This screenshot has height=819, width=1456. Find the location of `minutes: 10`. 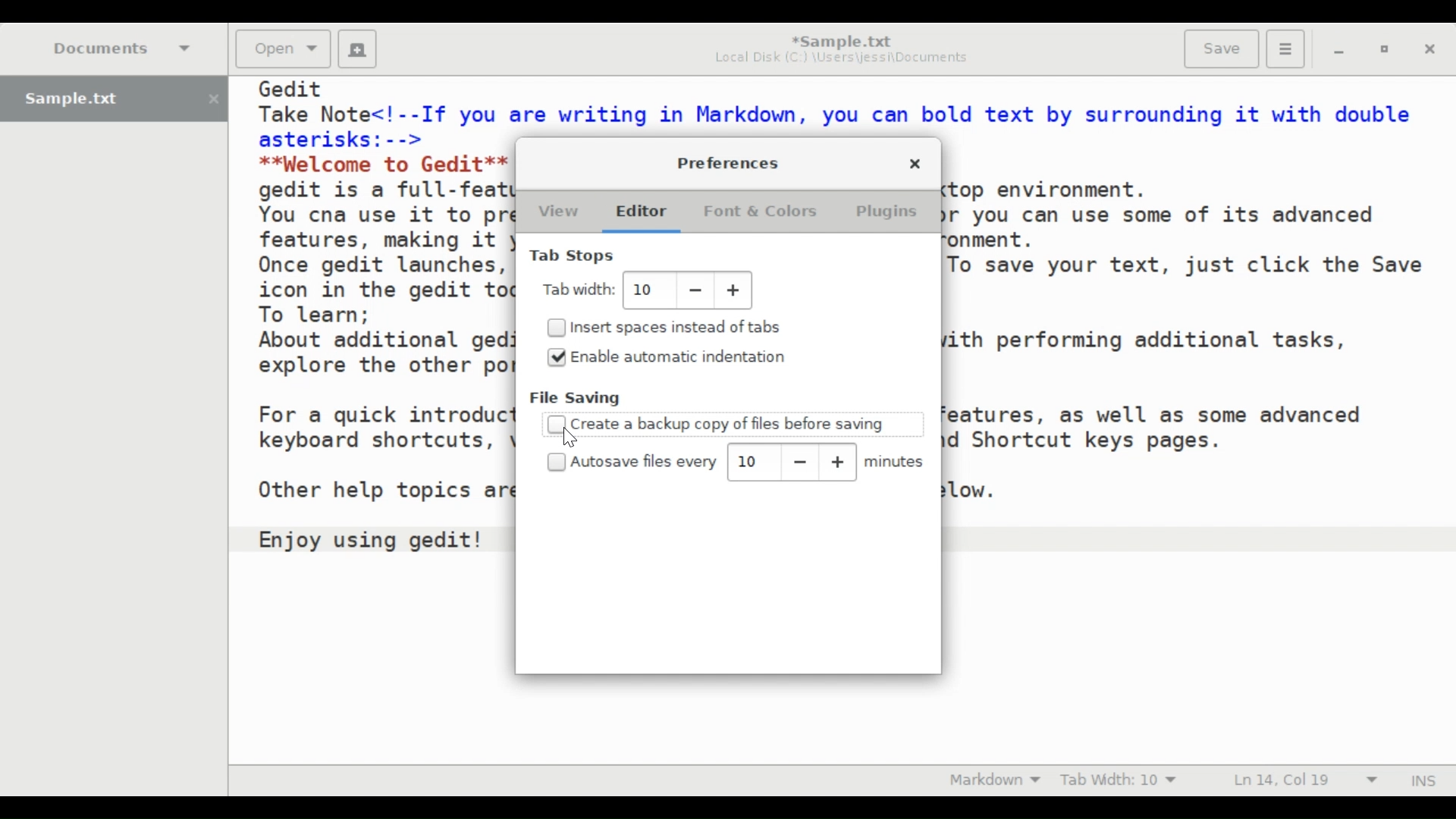

minutes: 10 is located at coordinates (753, 460).